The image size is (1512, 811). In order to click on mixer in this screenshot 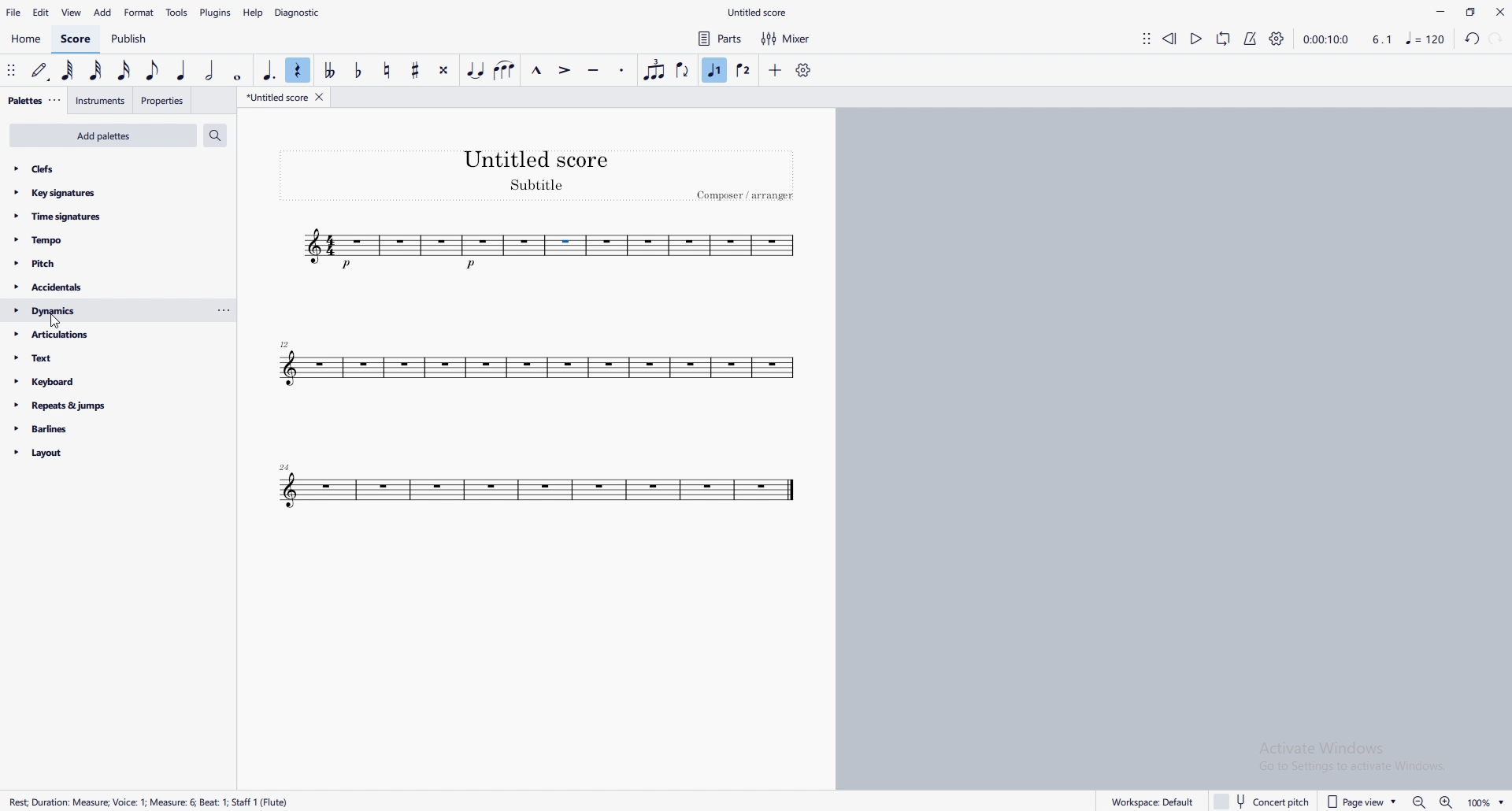, I will do `click(785, 39)`.